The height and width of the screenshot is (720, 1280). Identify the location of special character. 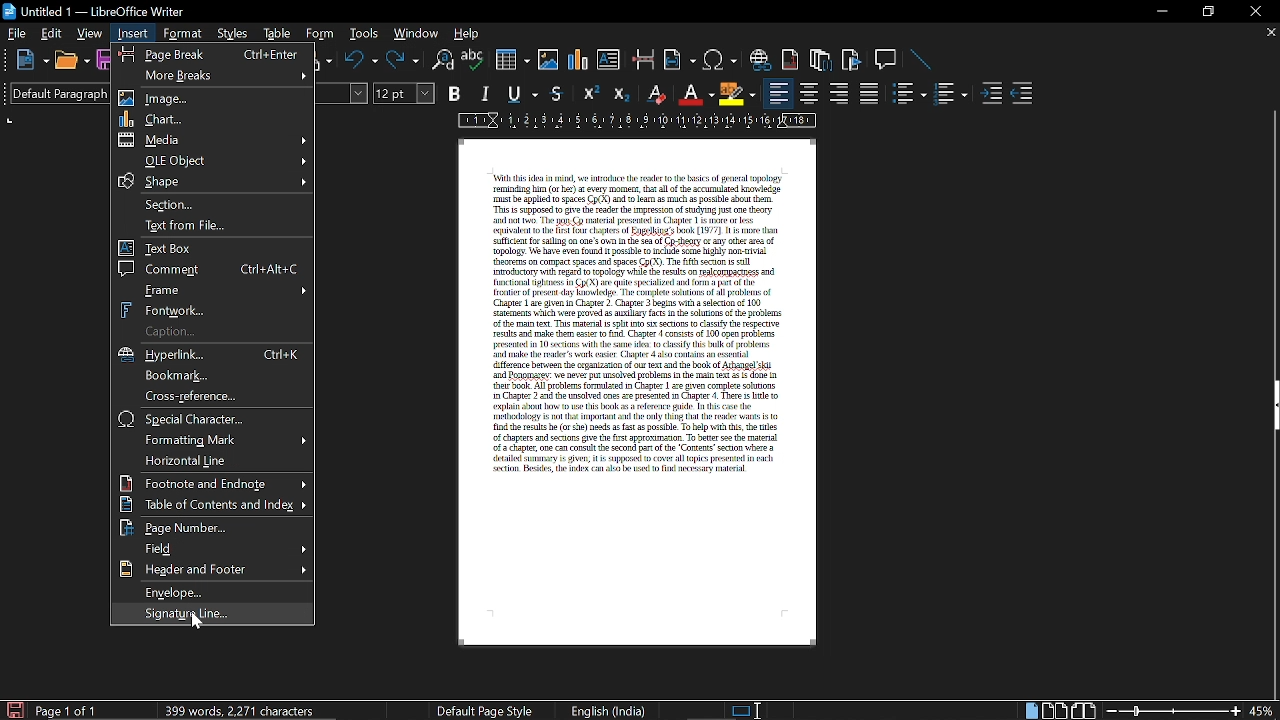
(215, 419).